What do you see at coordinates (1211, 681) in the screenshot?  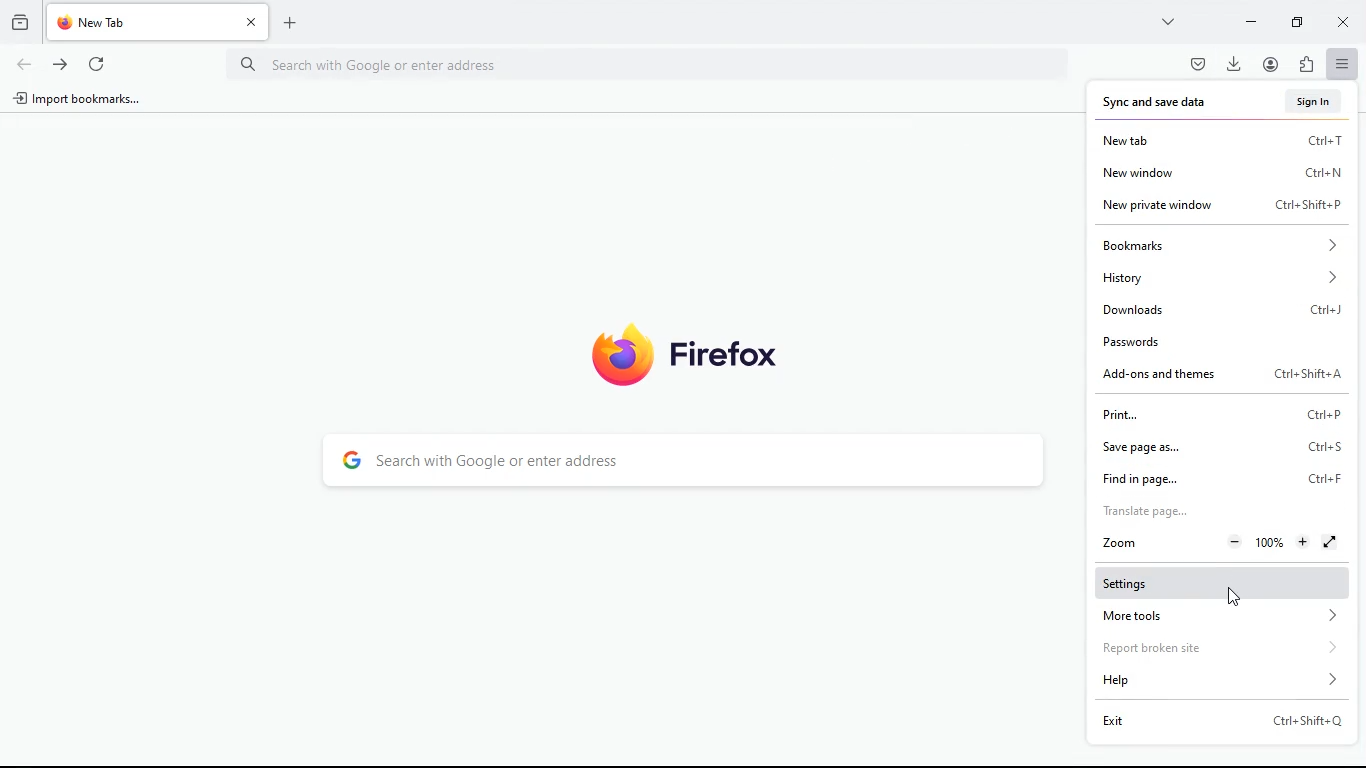 I see `help` at bounding box center [1211, 681].